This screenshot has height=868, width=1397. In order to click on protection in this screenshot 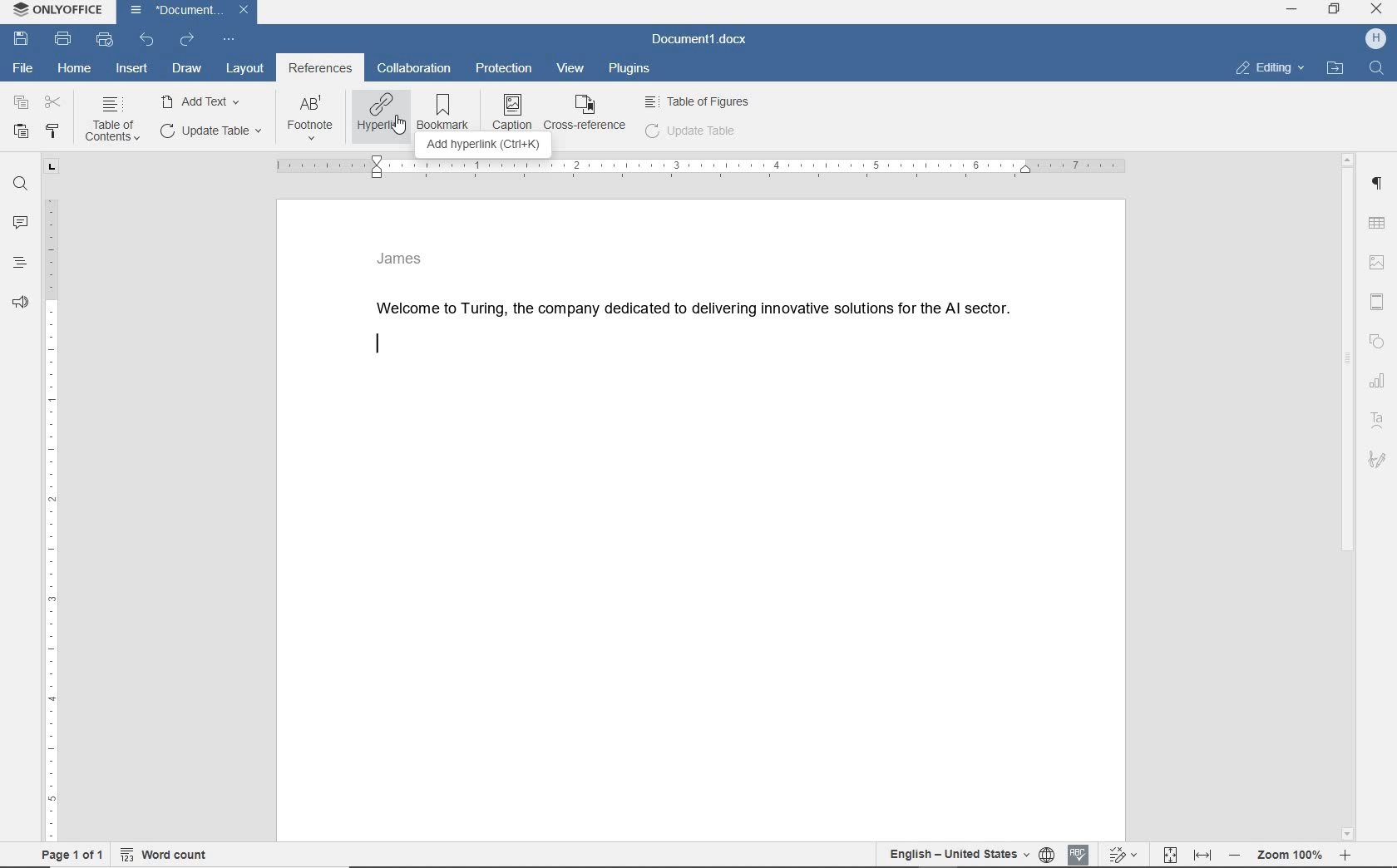, I will do `click(506, 70)`.